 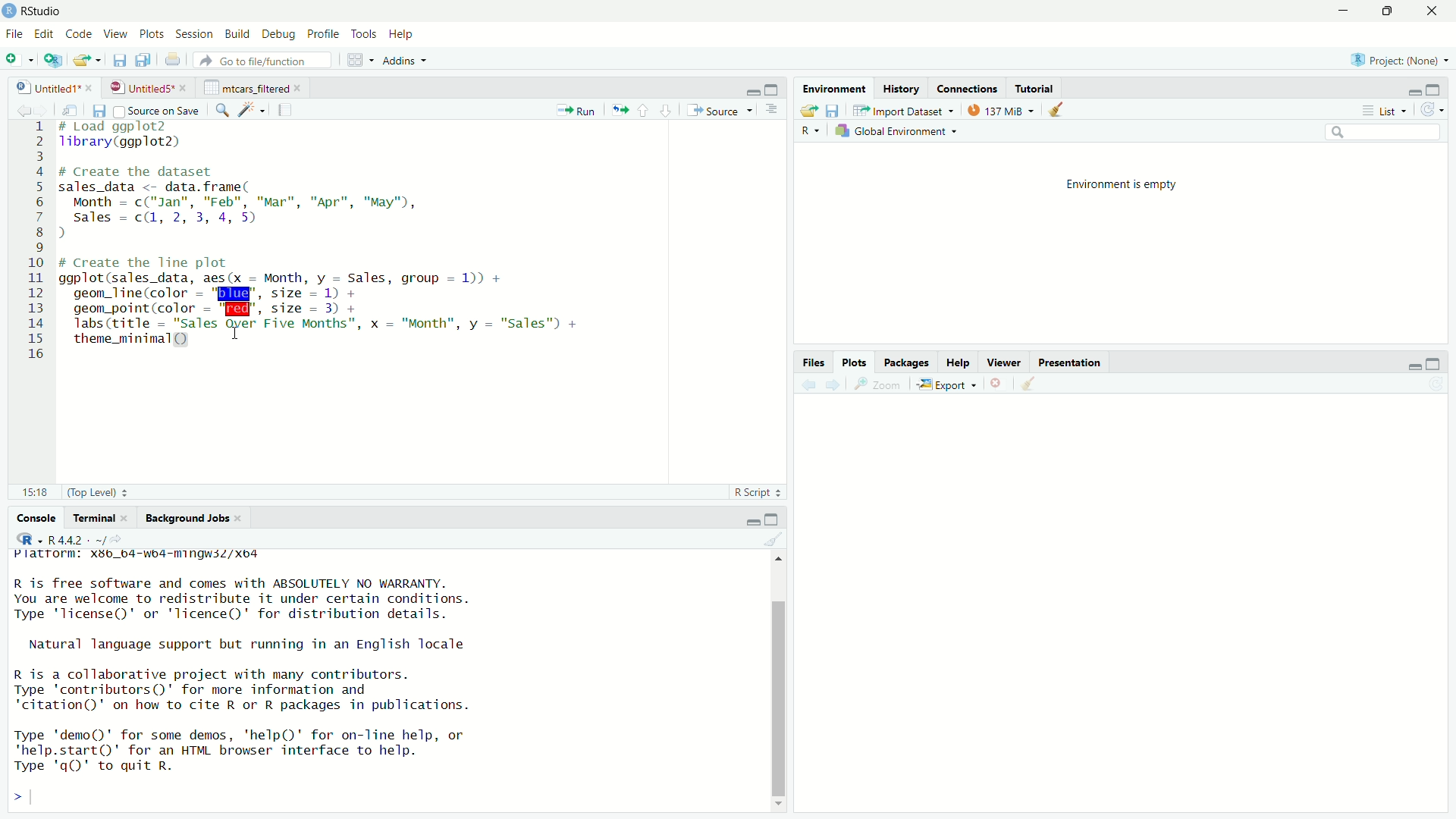 What do you see at coordinates (577, 111) in the screenshot?
I see `run current file` at bounding box center [577, 111].